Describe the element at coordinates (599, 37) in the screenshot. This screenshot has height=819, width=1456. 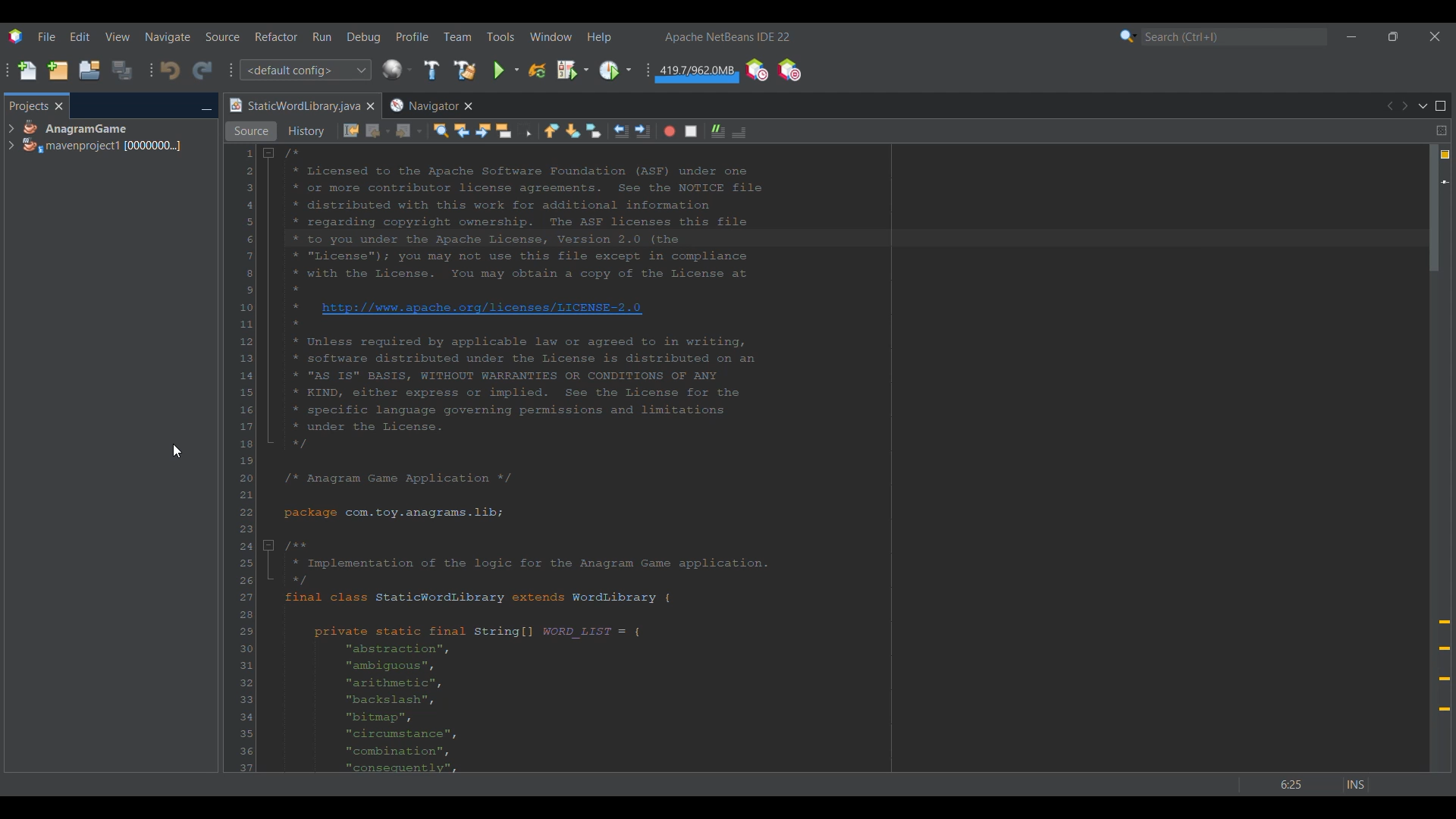
I see `Help menu` at that location.